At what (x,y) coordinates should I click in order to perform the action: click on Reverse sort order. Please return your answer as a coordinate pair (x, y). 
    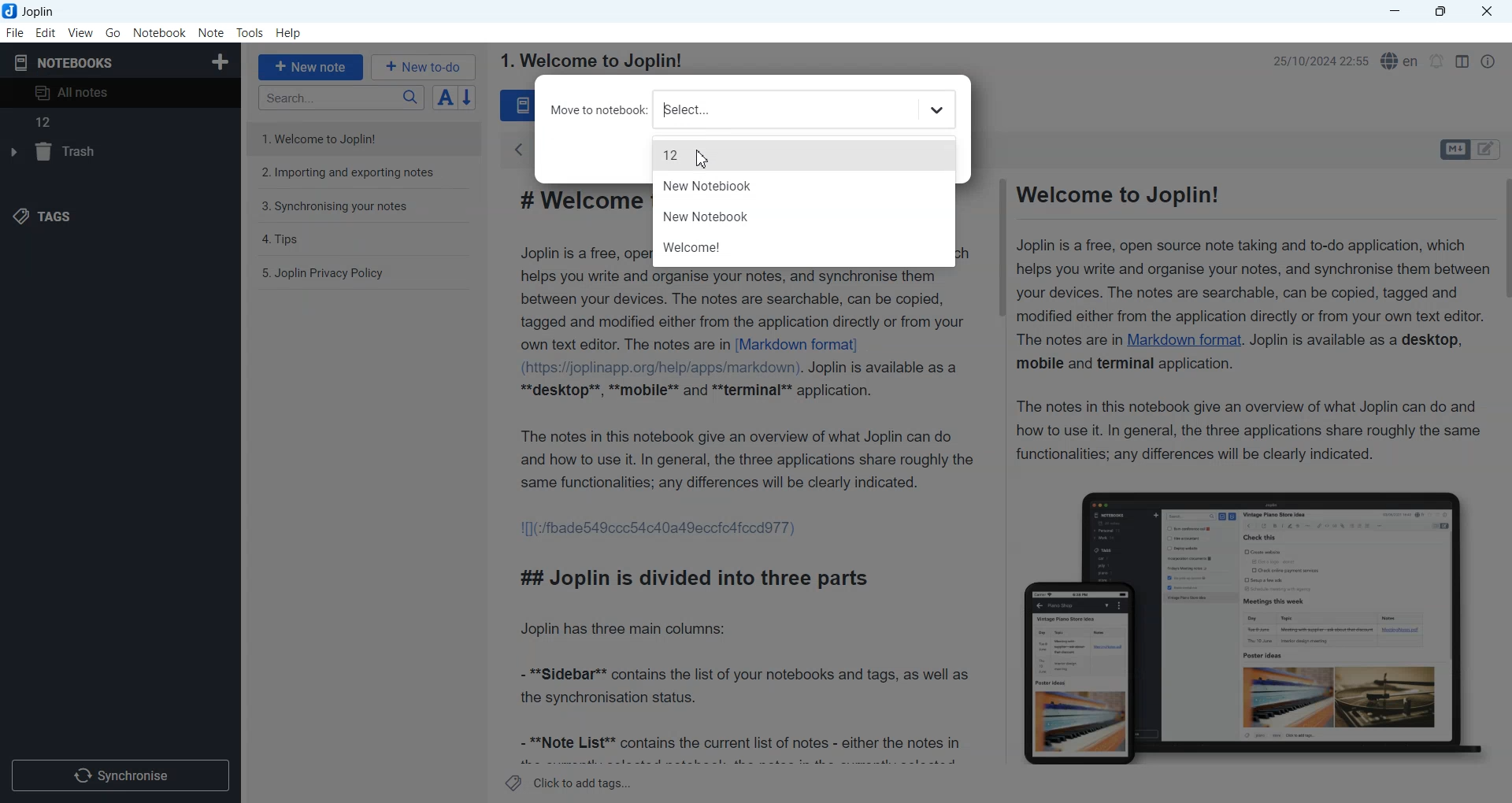
    Looking at the image, I should click on (469, 98).